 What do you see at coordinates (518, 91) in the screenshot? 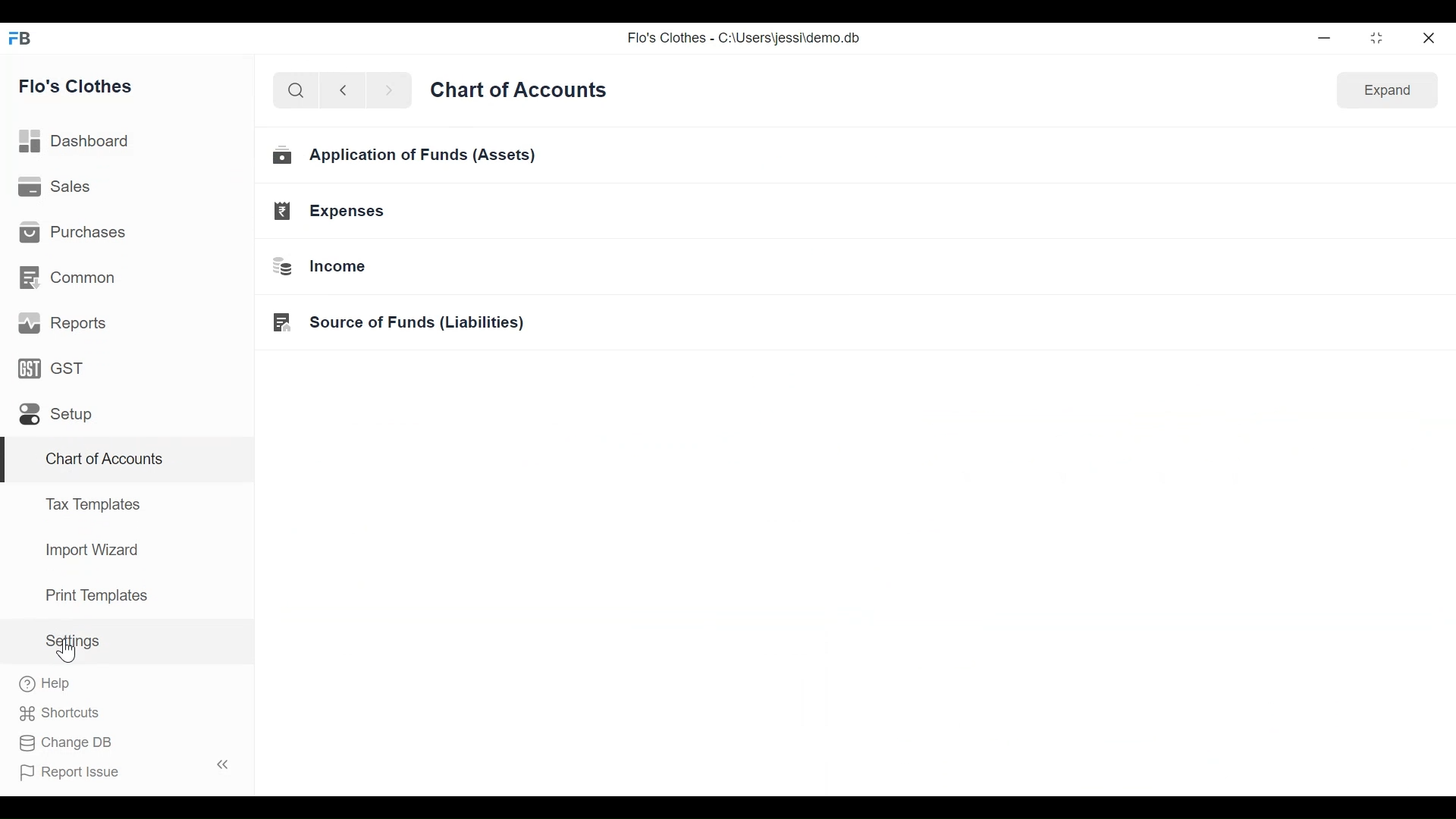
I see `chart of accounts` at bounding box center [518, 91].